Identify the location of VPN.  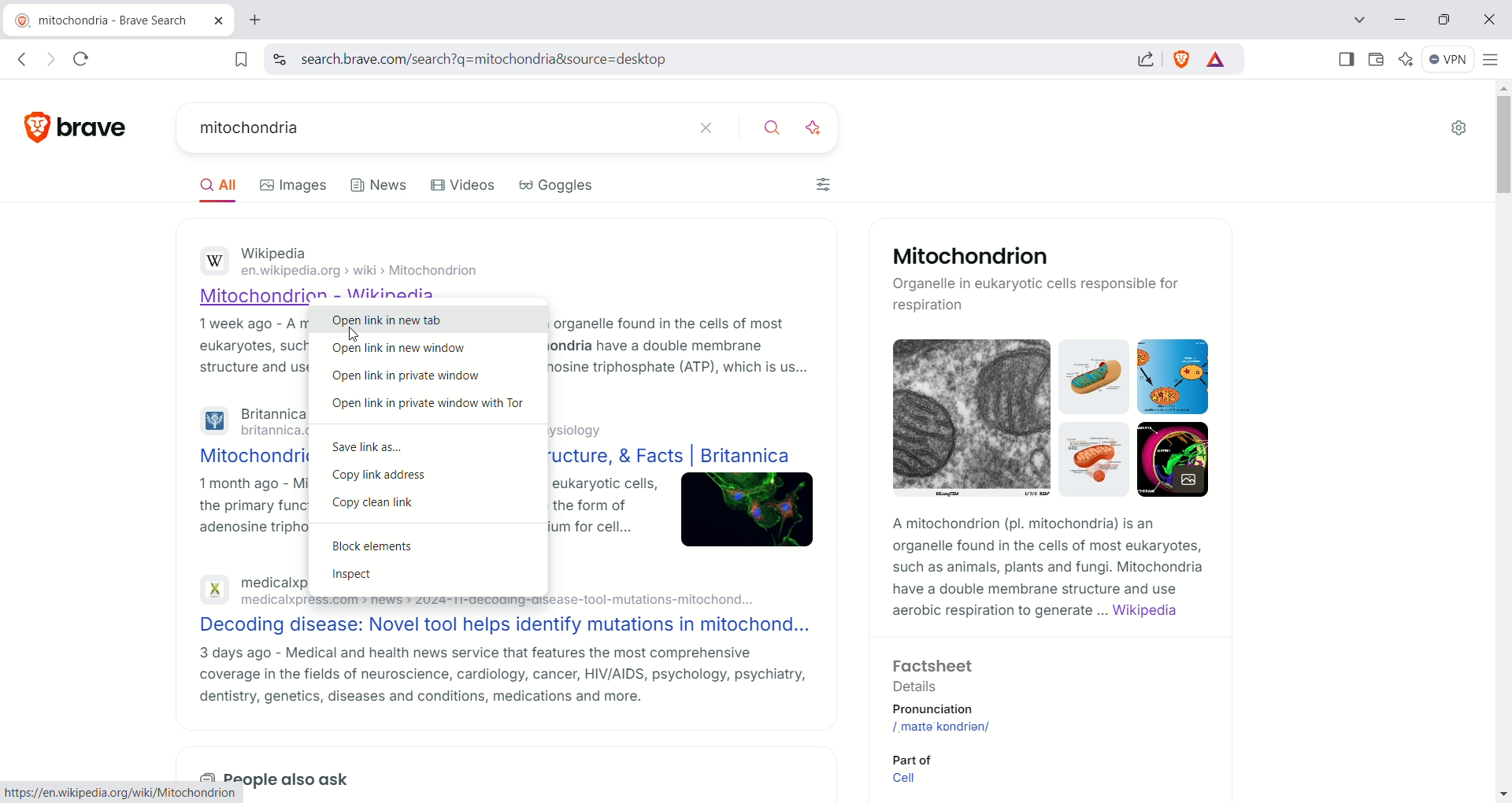
(1450, 60).